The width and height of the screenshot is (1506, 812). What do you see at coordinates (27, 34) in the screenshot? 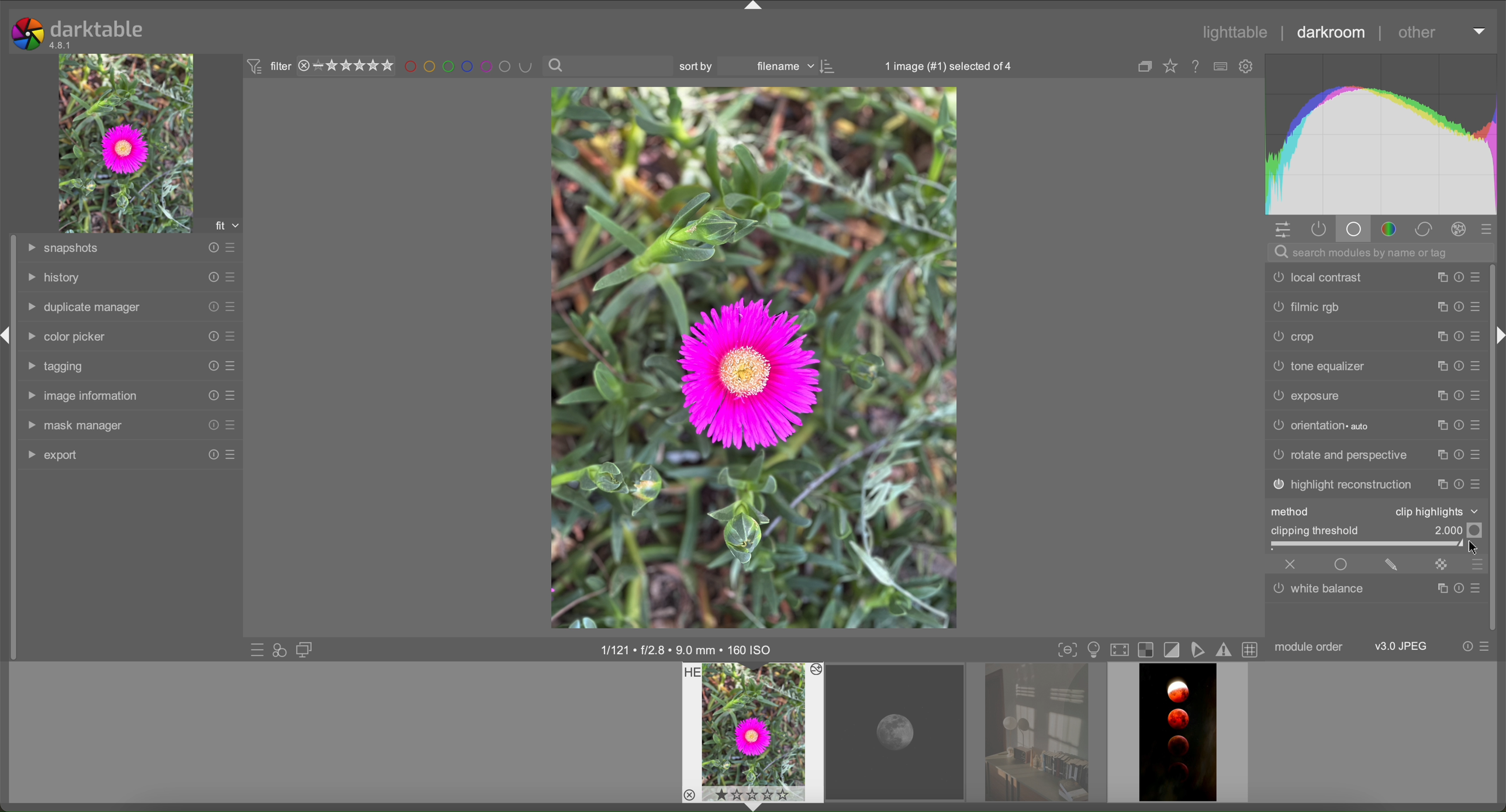
I see `logo` at bounding box center [27, 34].